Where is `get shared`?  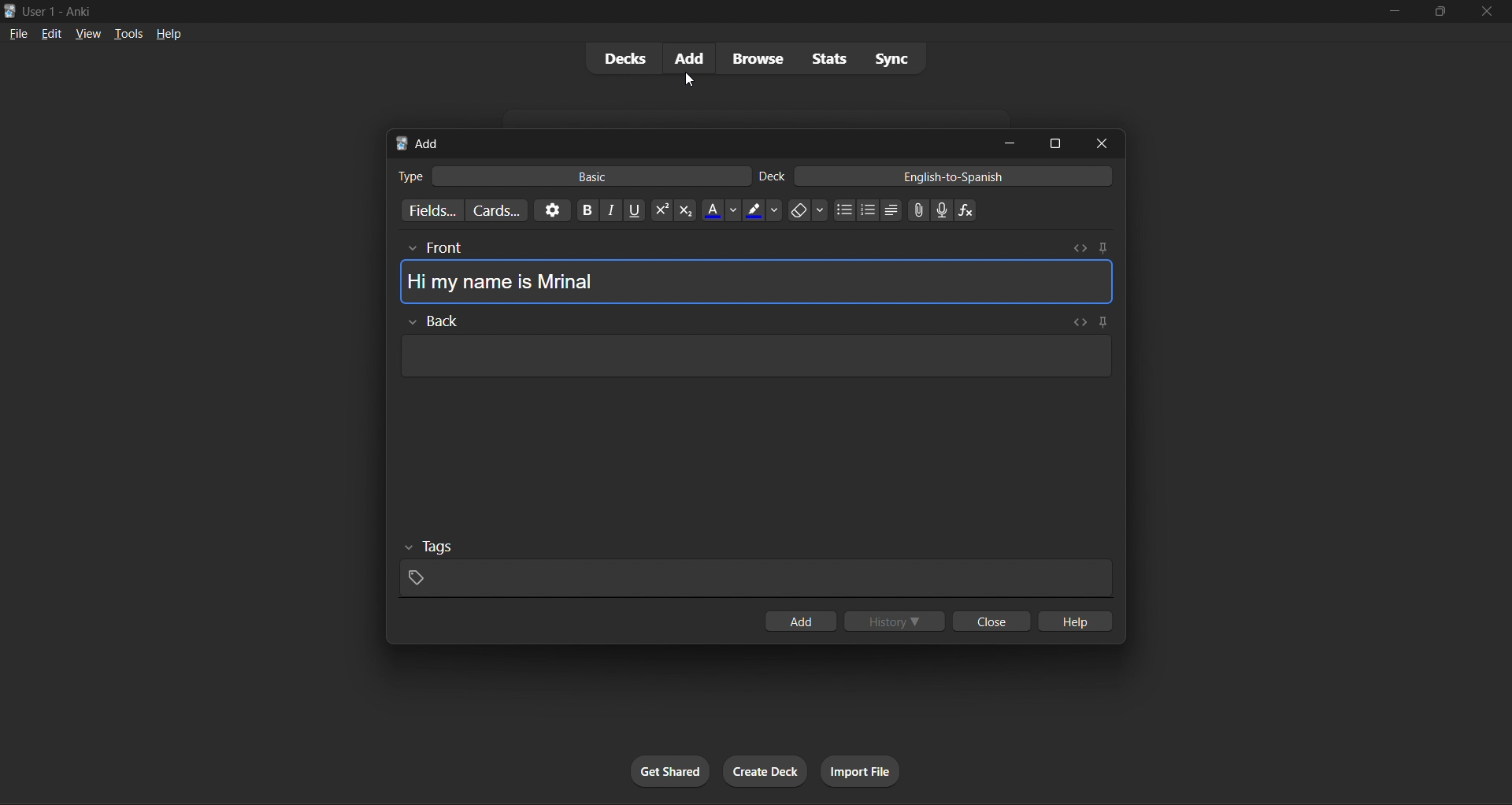
get shared is located at coordinates (669, 770).